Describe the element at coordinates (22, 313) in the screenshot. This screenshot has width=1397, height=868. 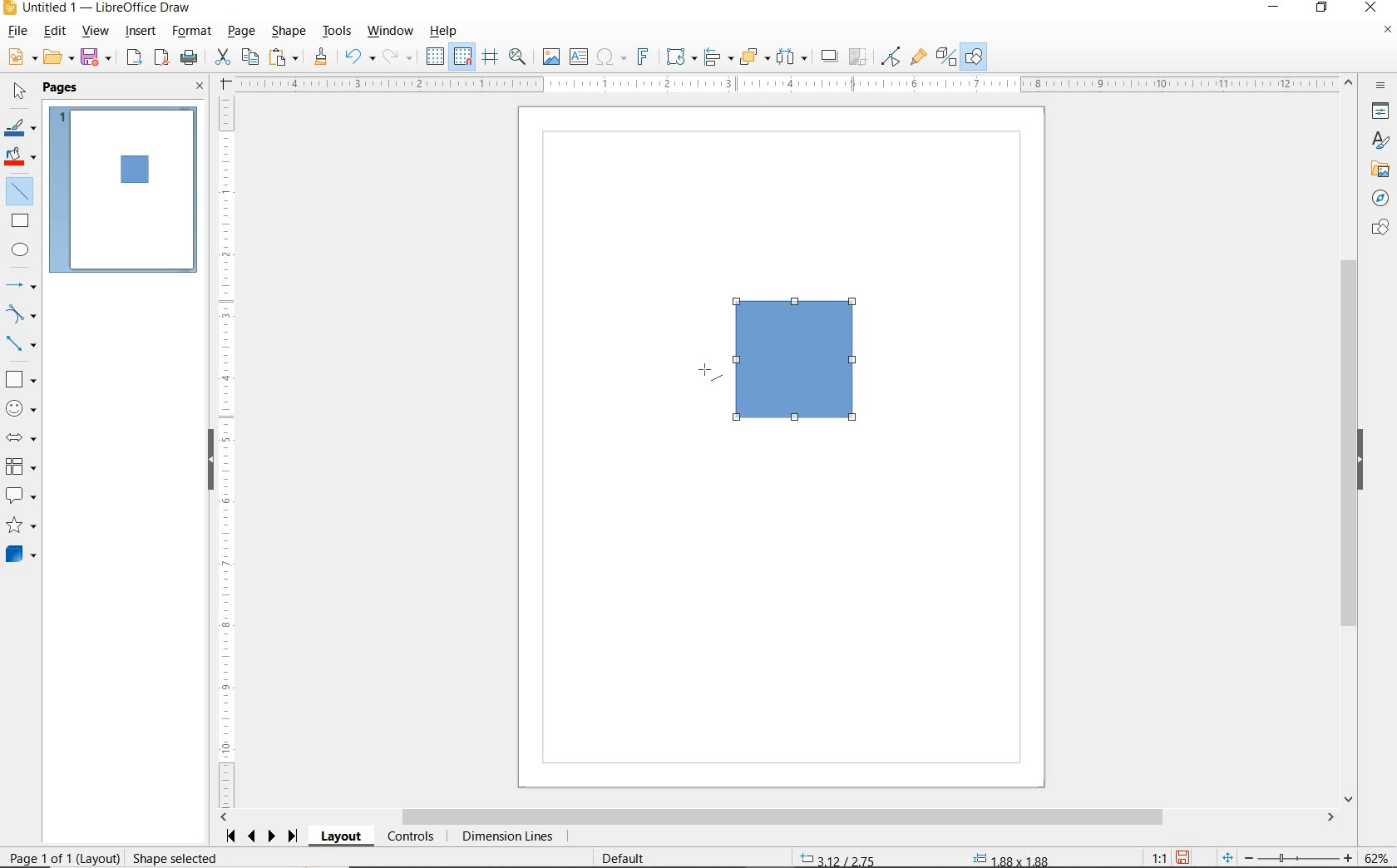
I see `CURVES AND POLYGONS` at that location.